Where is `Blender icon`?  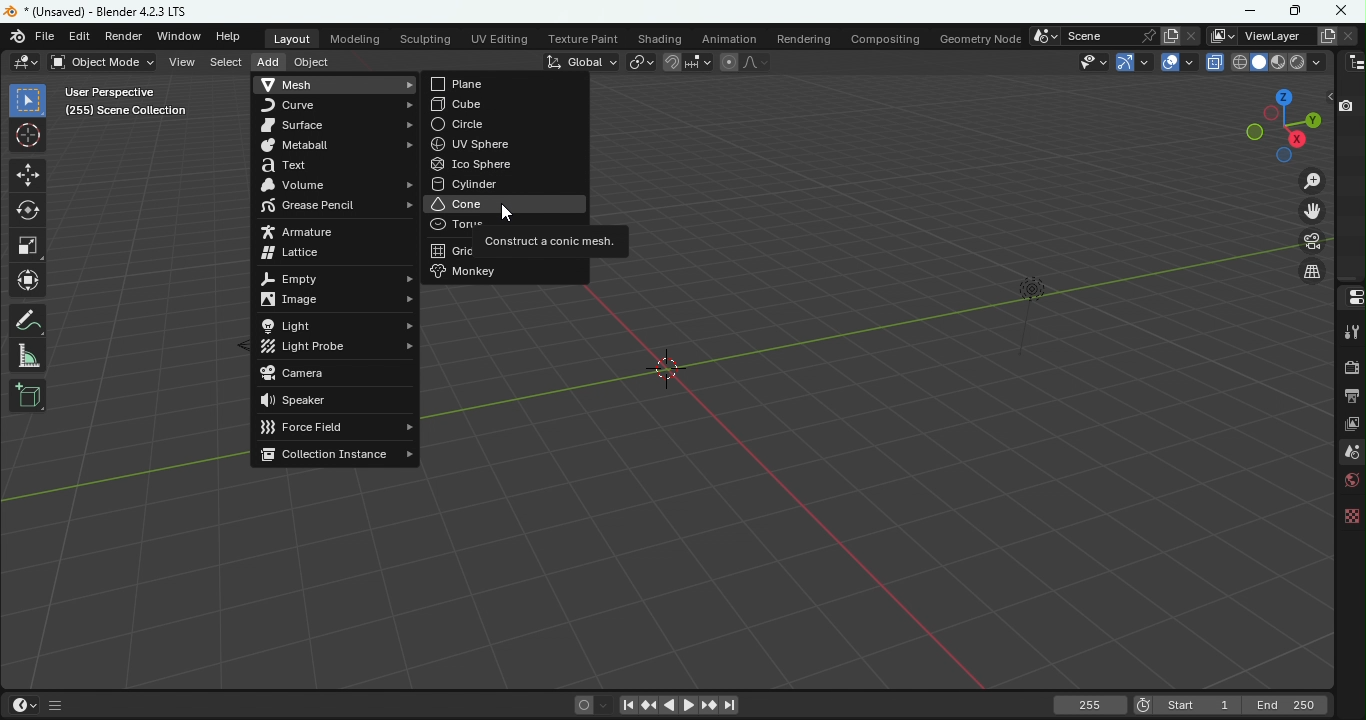 Blender icon is located at coordinates (18, 36).